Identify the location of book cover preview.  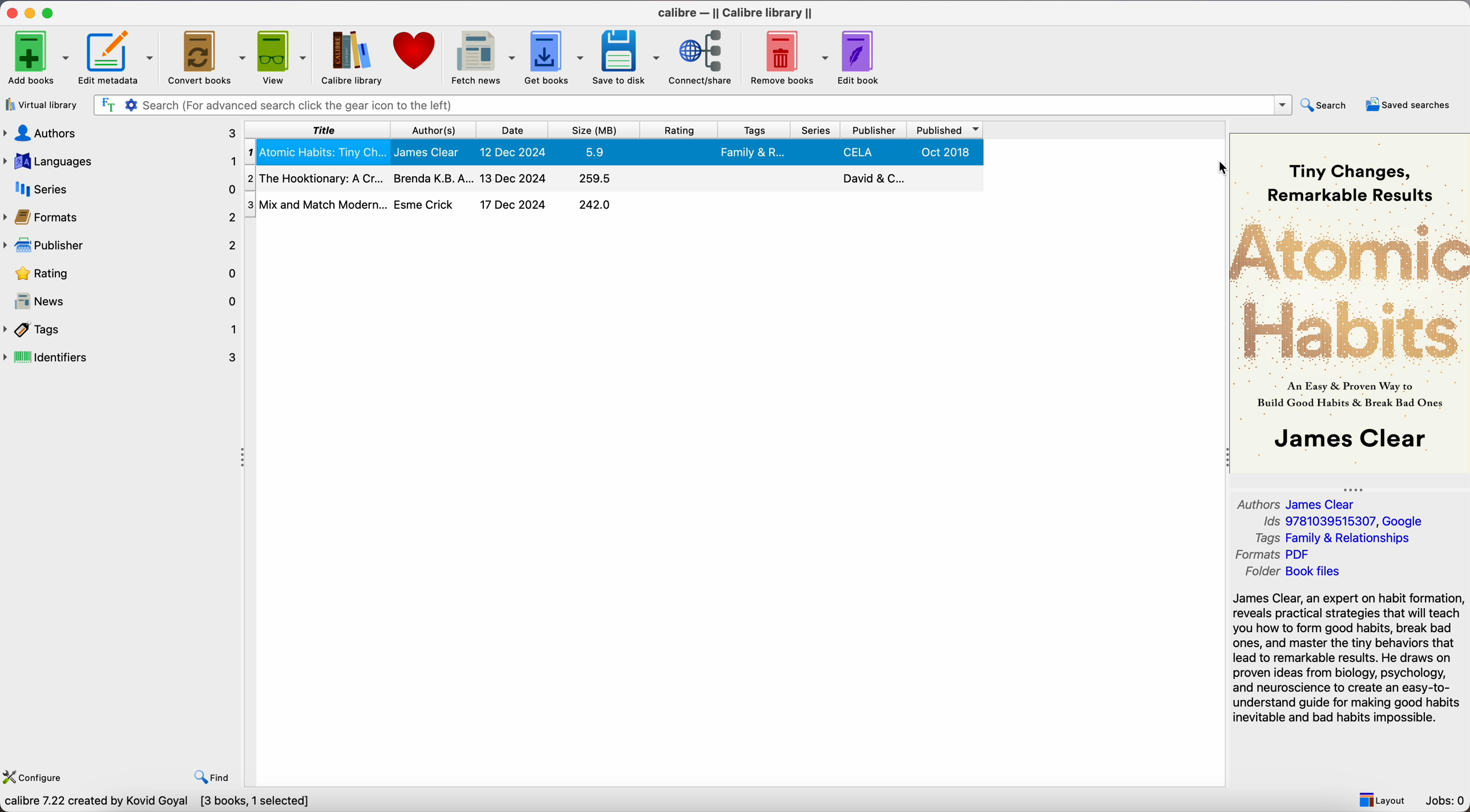
(1351, 304).